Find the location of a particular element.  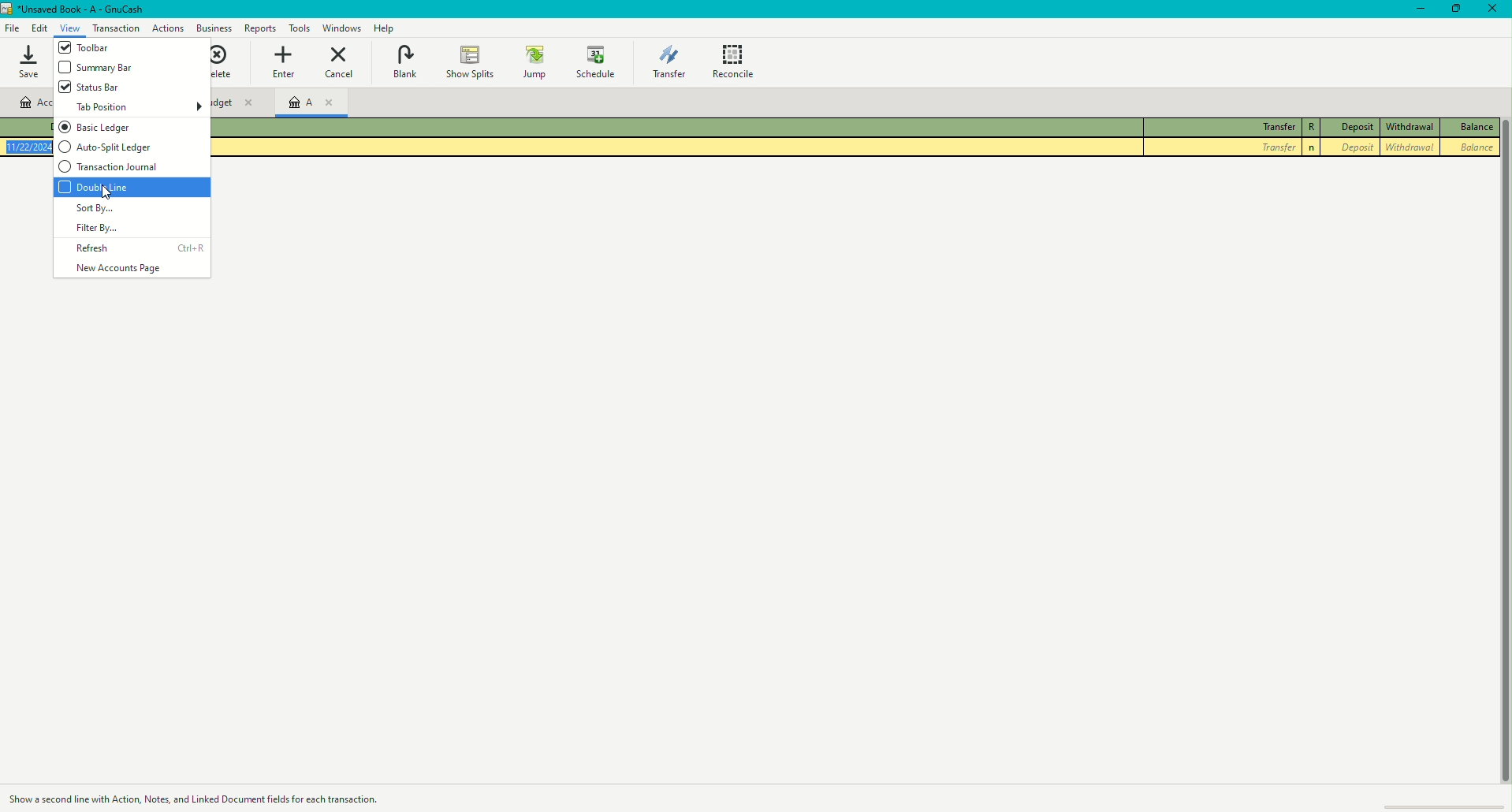

Enter is located at coordinates (288, 63).